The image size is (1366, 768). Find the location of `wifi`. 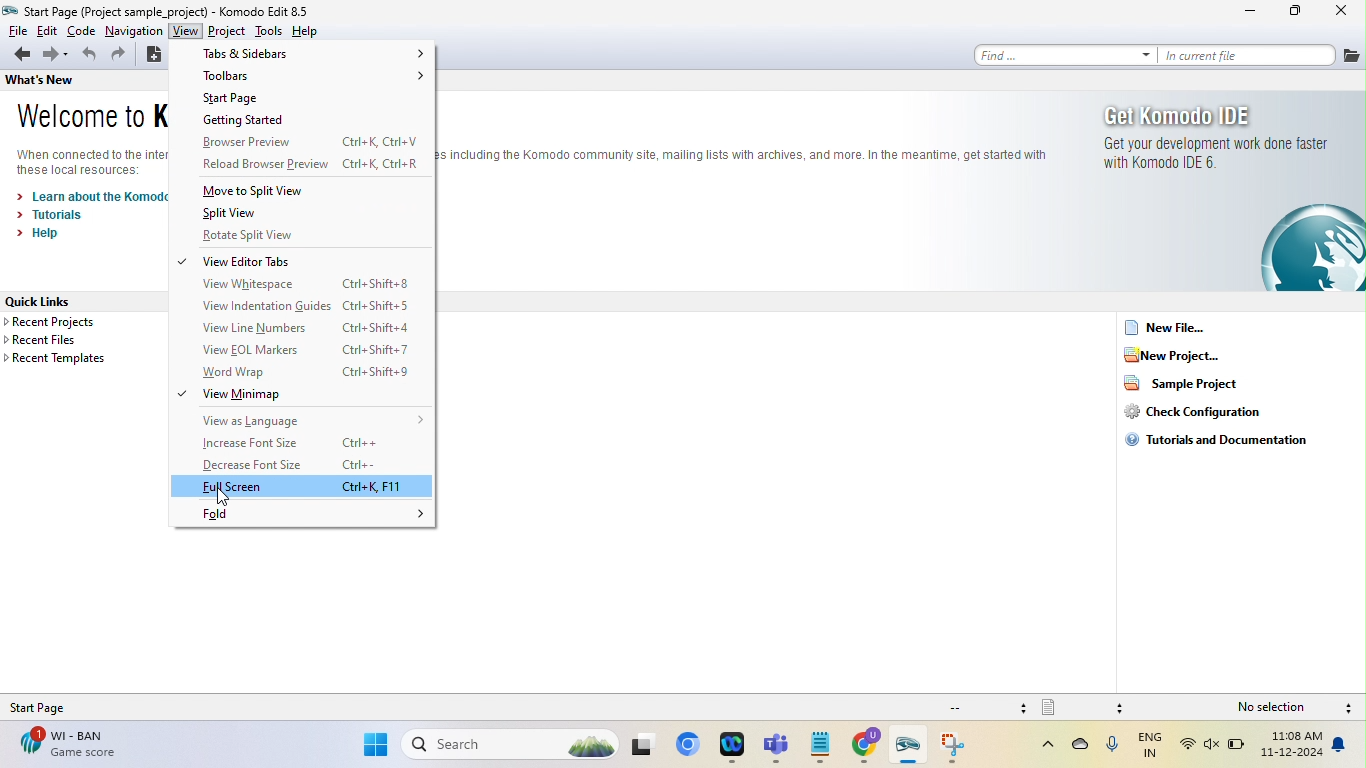

wifi is located at coordinates (1188, 746).